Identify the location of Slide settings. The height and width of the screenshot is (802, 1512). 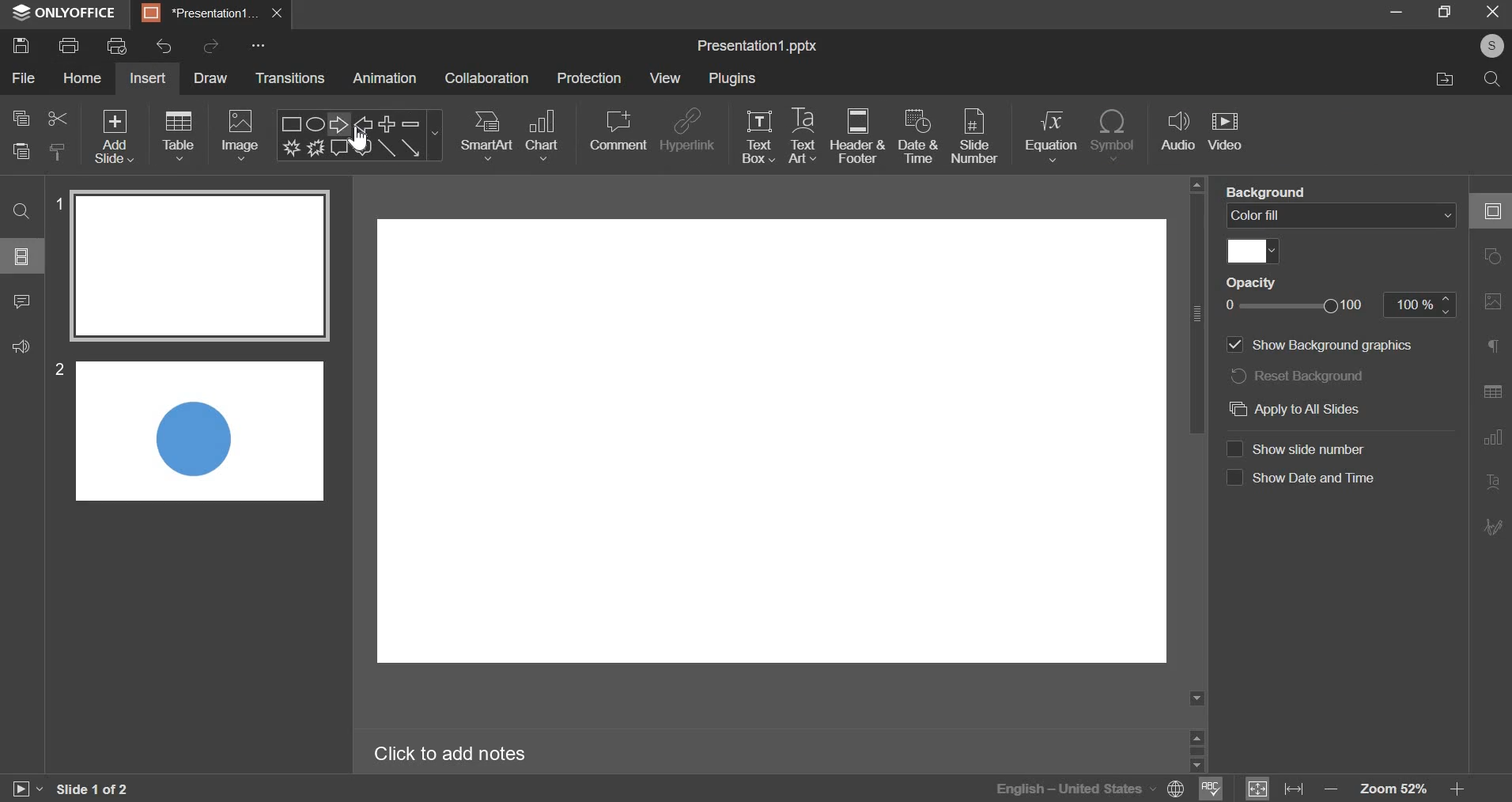
(1493, 209).